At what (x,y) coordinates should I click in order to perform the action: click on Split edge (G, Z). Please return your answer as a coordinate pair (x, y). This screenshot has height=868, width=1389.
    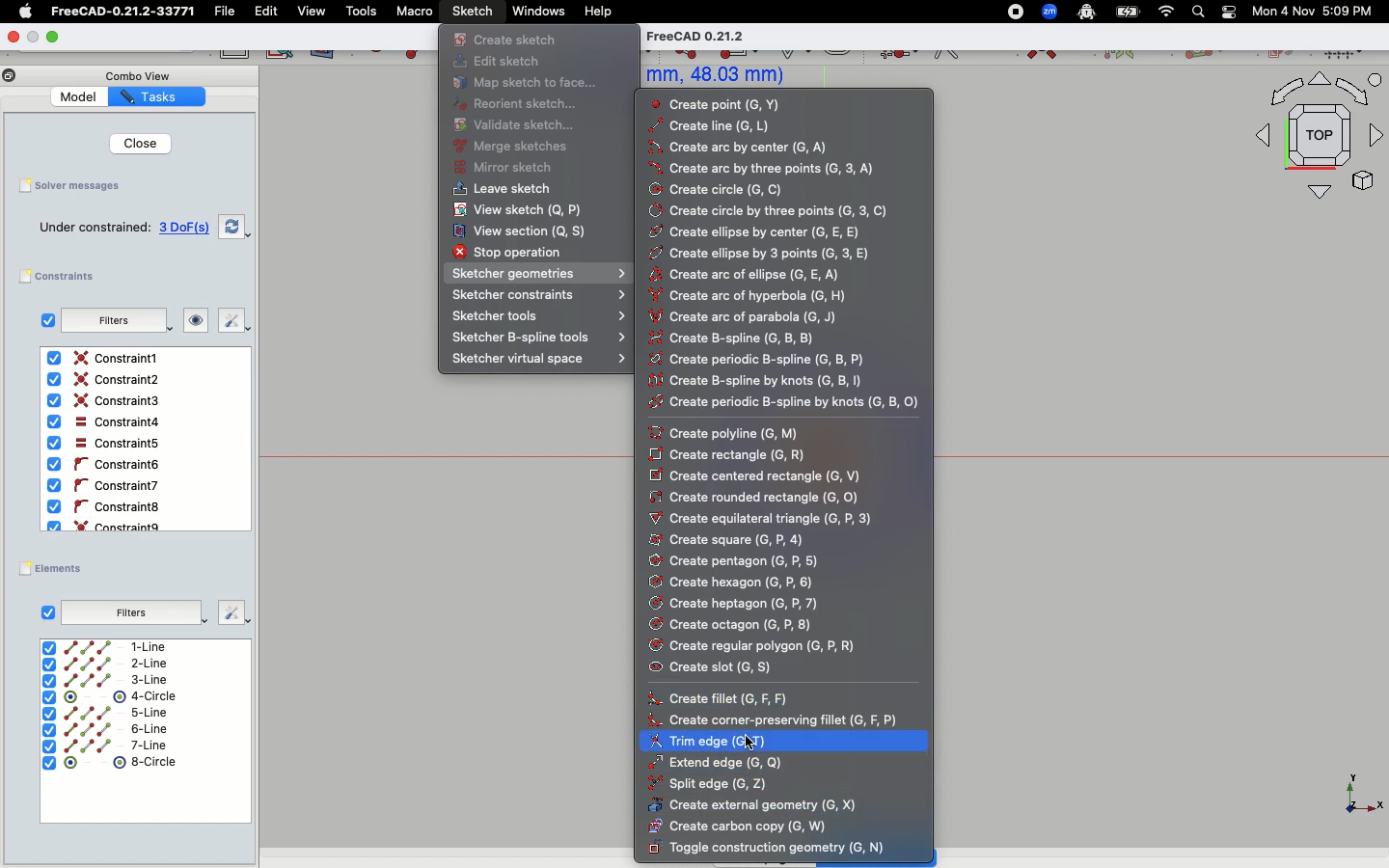
    Looking at the image, I should click on (716, 783).